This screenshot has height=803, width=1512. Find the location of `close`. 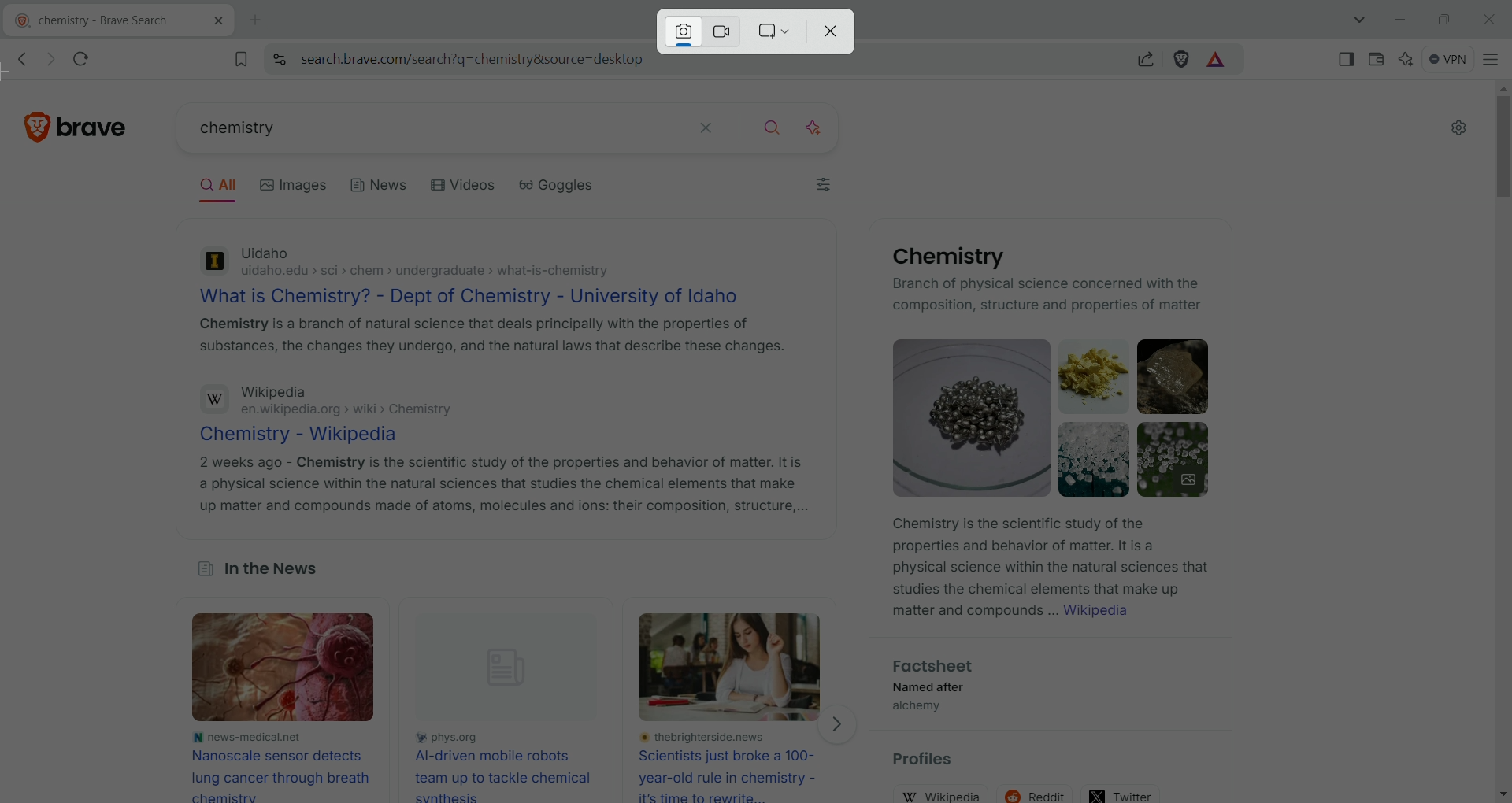

close is located at coordinates (211, 24).